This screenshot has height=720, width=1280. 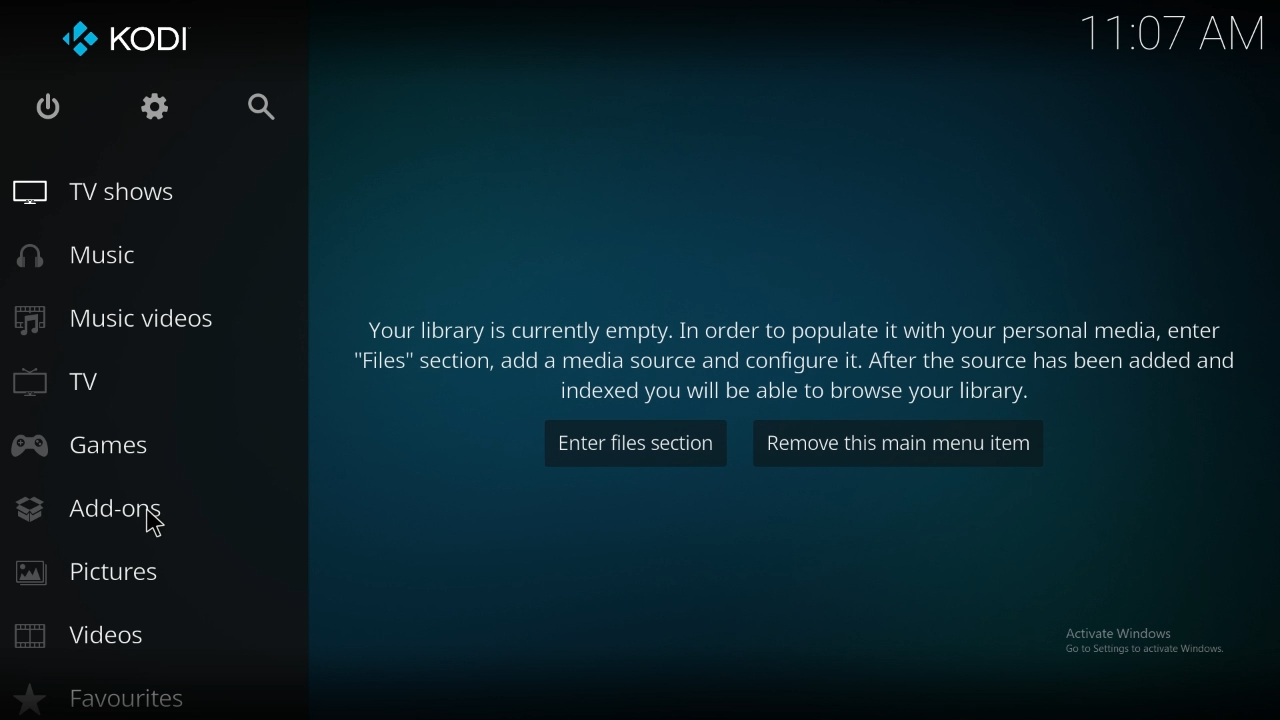 What do you see at coordinates (129, 319) in the screenshot?
I see `music videos` at bounding box center [129, 319].